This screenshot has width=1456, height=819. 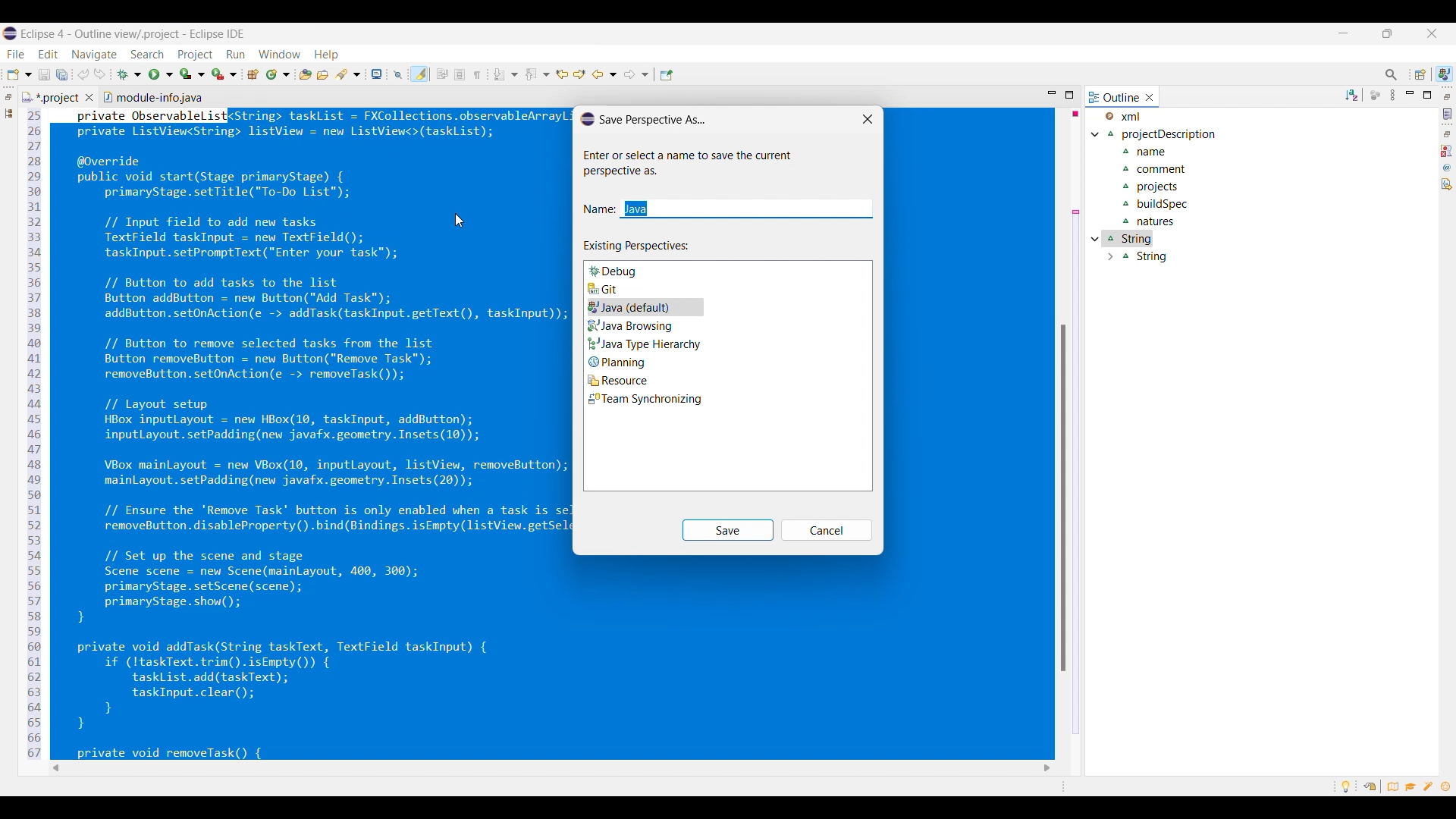 I want to click on Indicates text box for name, so click(x=599, y=209).